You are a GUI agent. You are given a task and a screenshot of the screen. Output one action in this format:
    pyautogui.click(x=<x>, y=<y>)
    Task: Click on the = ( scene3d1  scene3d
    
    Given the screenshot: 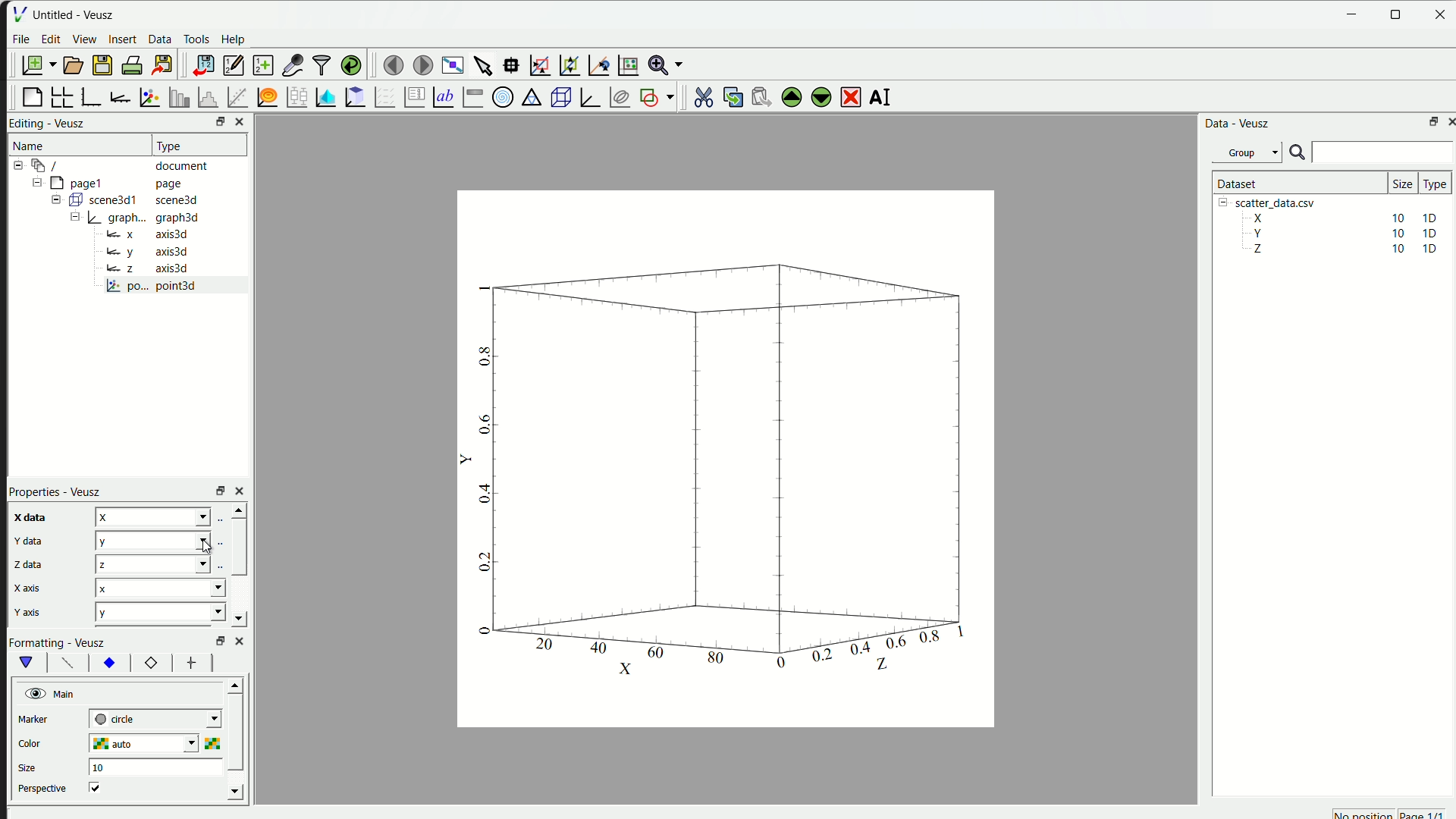 What is the action you would take?
    pyautogui.click(x=128, y=199)
    